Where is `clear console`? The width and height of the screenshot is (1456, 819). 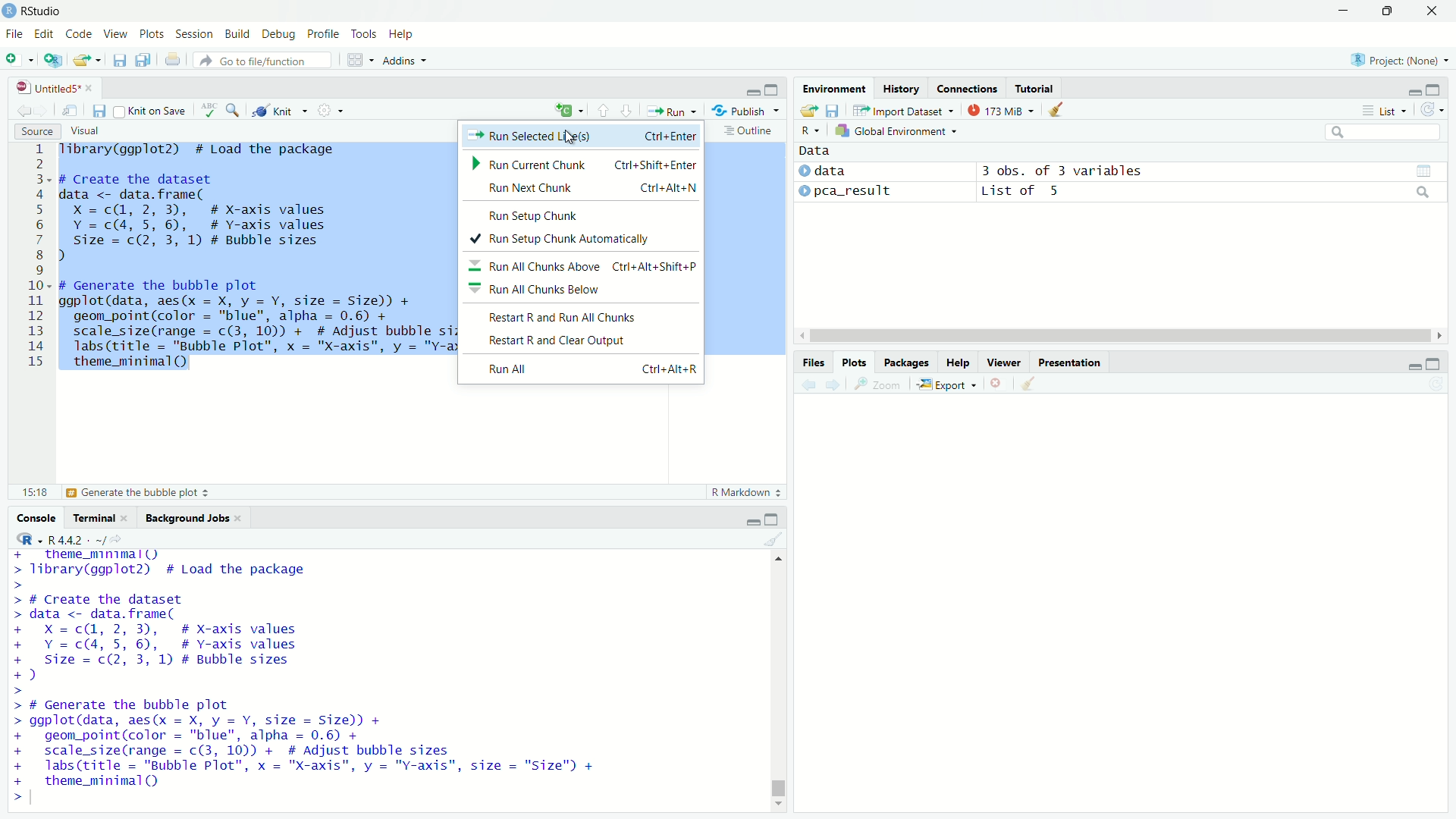 clear console is located at coordinates (775, 538).